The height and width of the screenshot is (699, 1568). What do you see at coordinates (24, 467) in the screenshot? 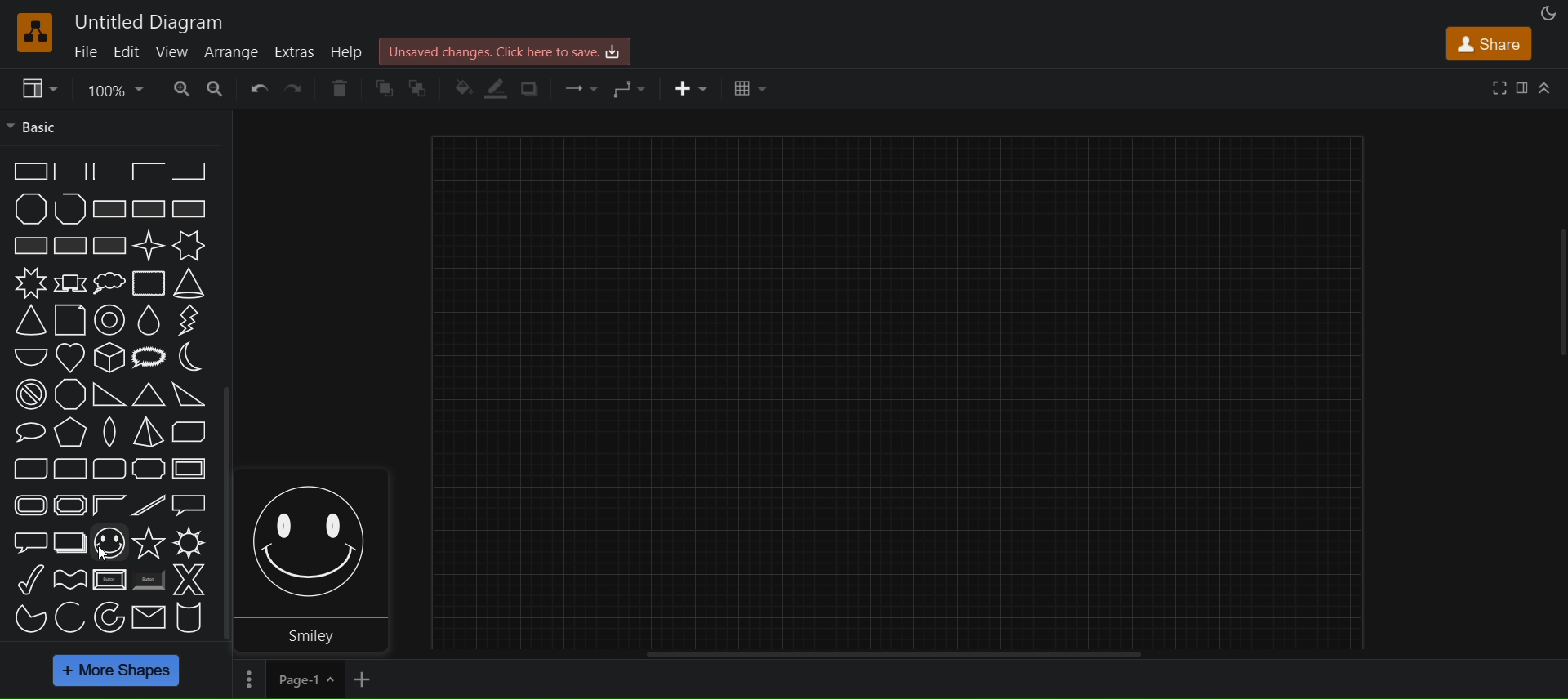
I see `diagonal rounded rectangle` at bounding box center [24, 467].